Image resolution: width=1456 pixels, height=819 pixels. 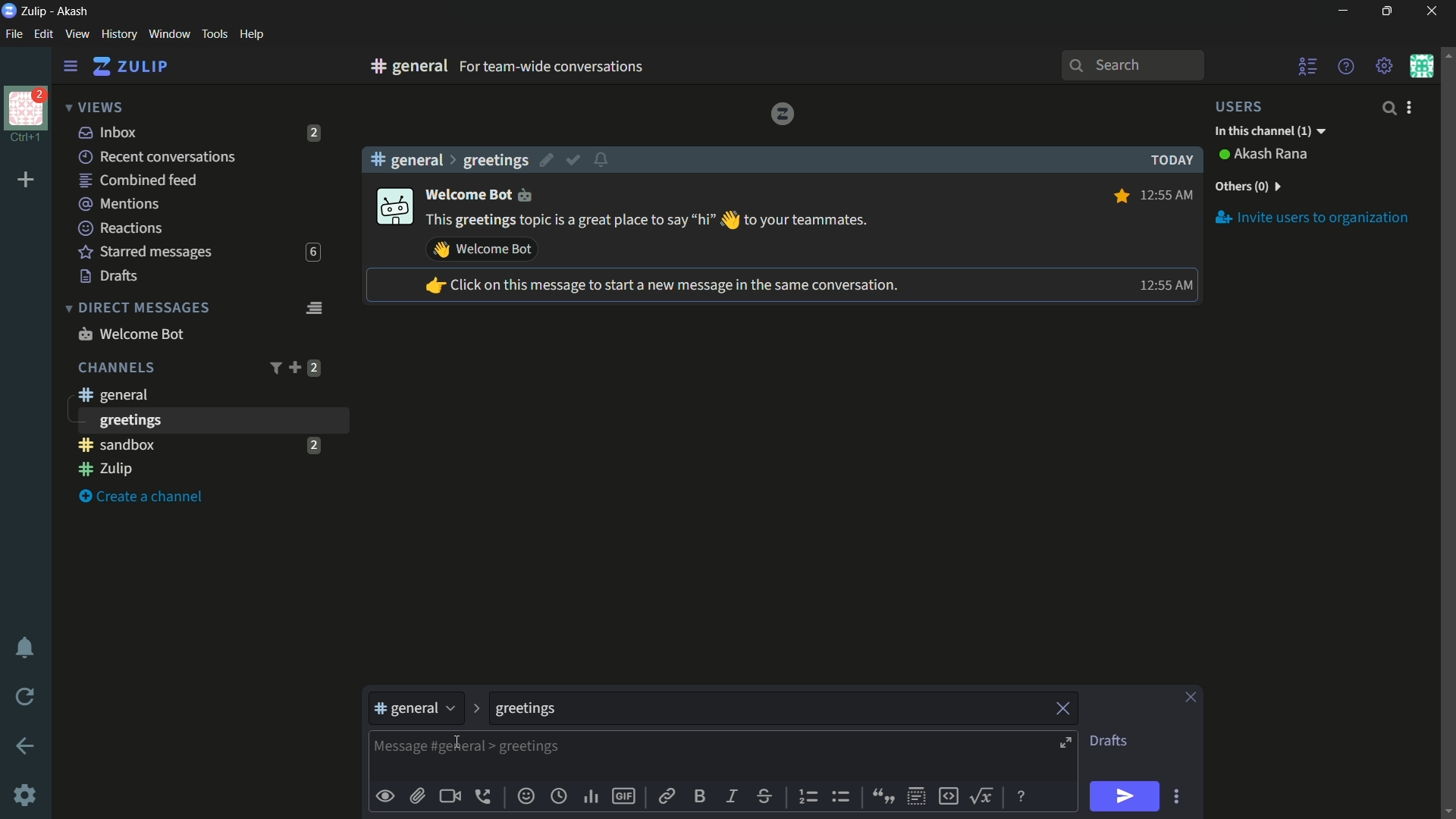 What do you see at coordinates (1132, 65) in the screenshot?
I see `search bar` at bounding box center [1132, 65].